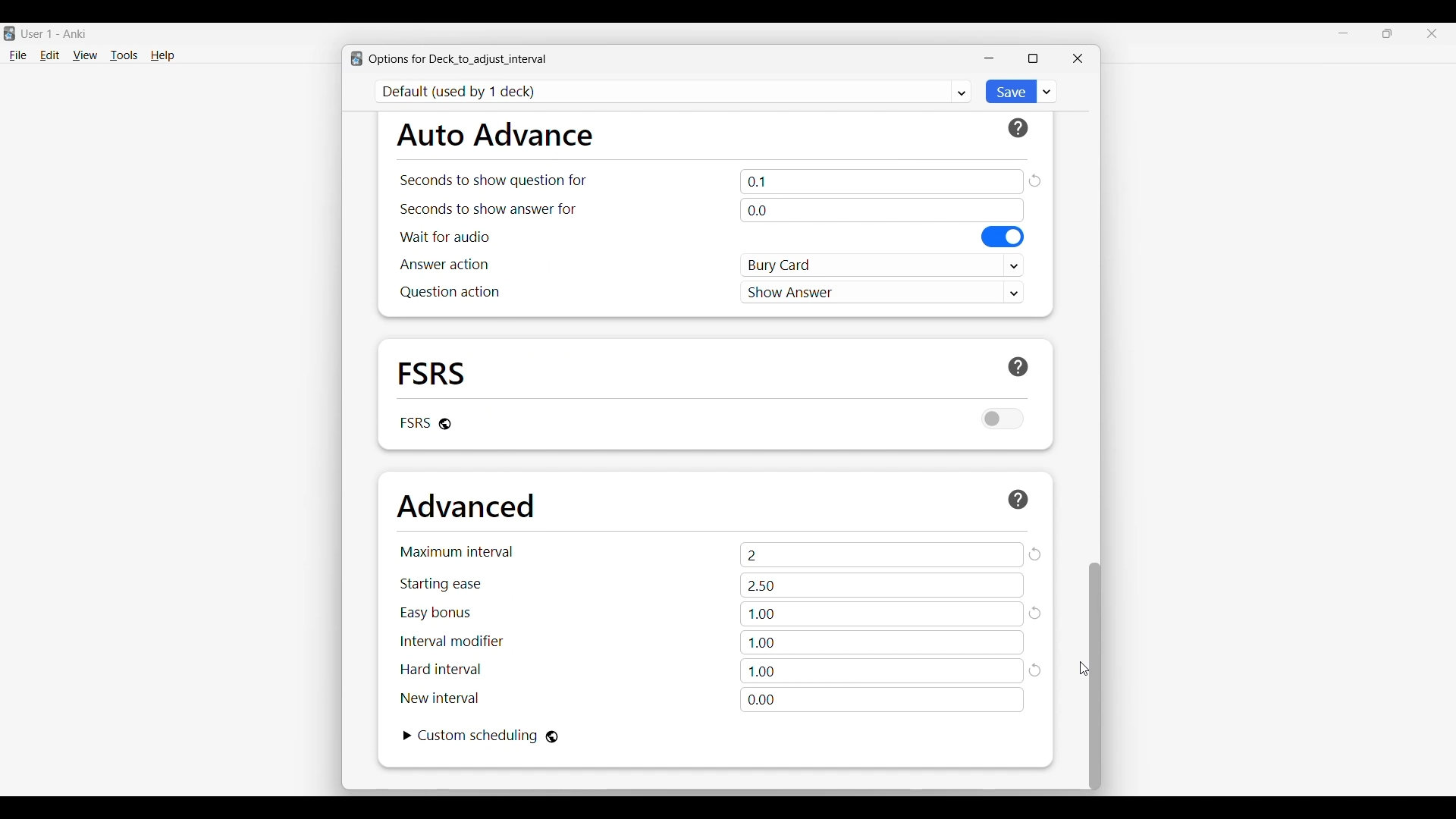 The image size is (1456, 819). What do you see at coordinates (1095, 676) in the screenshot?
I see `Vertical slide bar` at bounding box center [1095, 676].